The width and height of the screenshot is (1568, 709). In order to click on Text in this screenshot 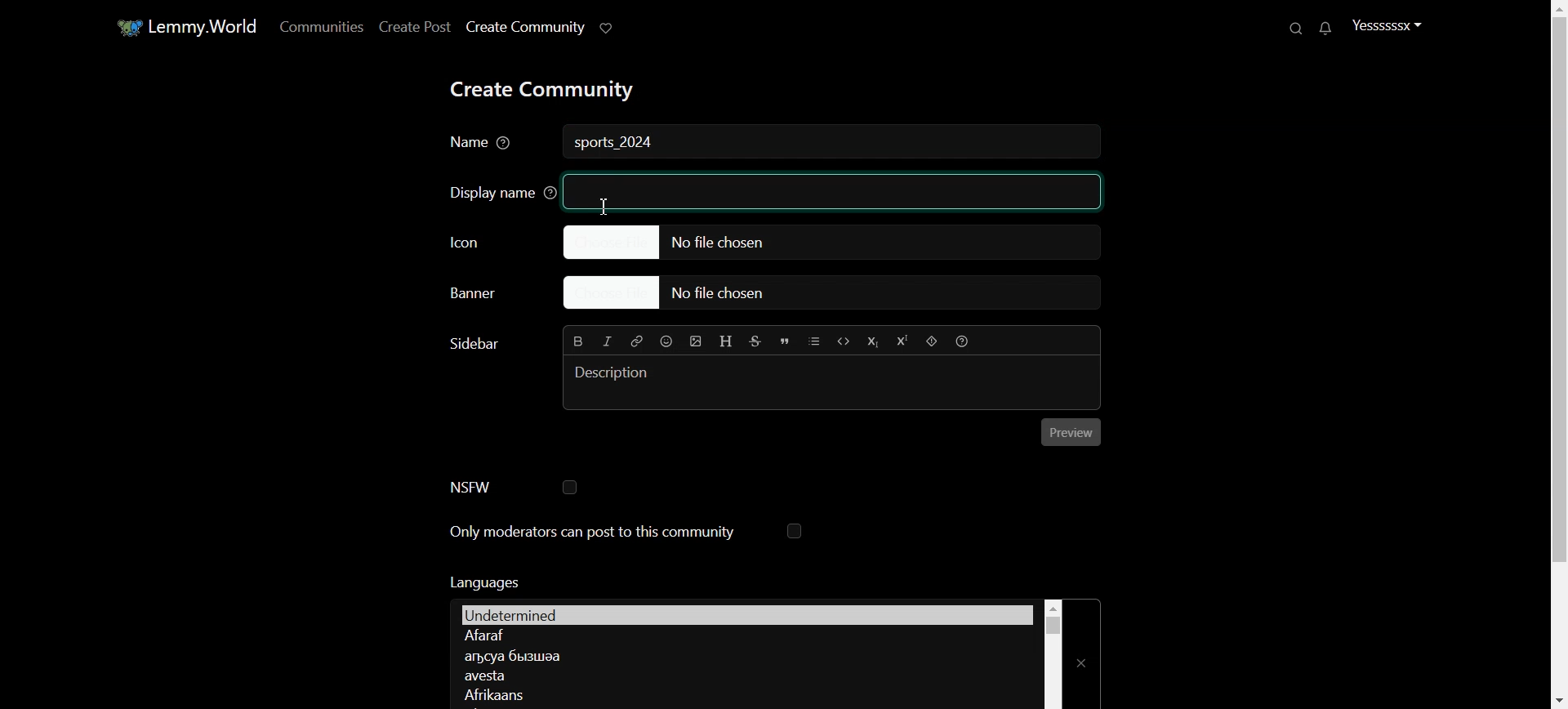, I will do `click(483, 582)`.